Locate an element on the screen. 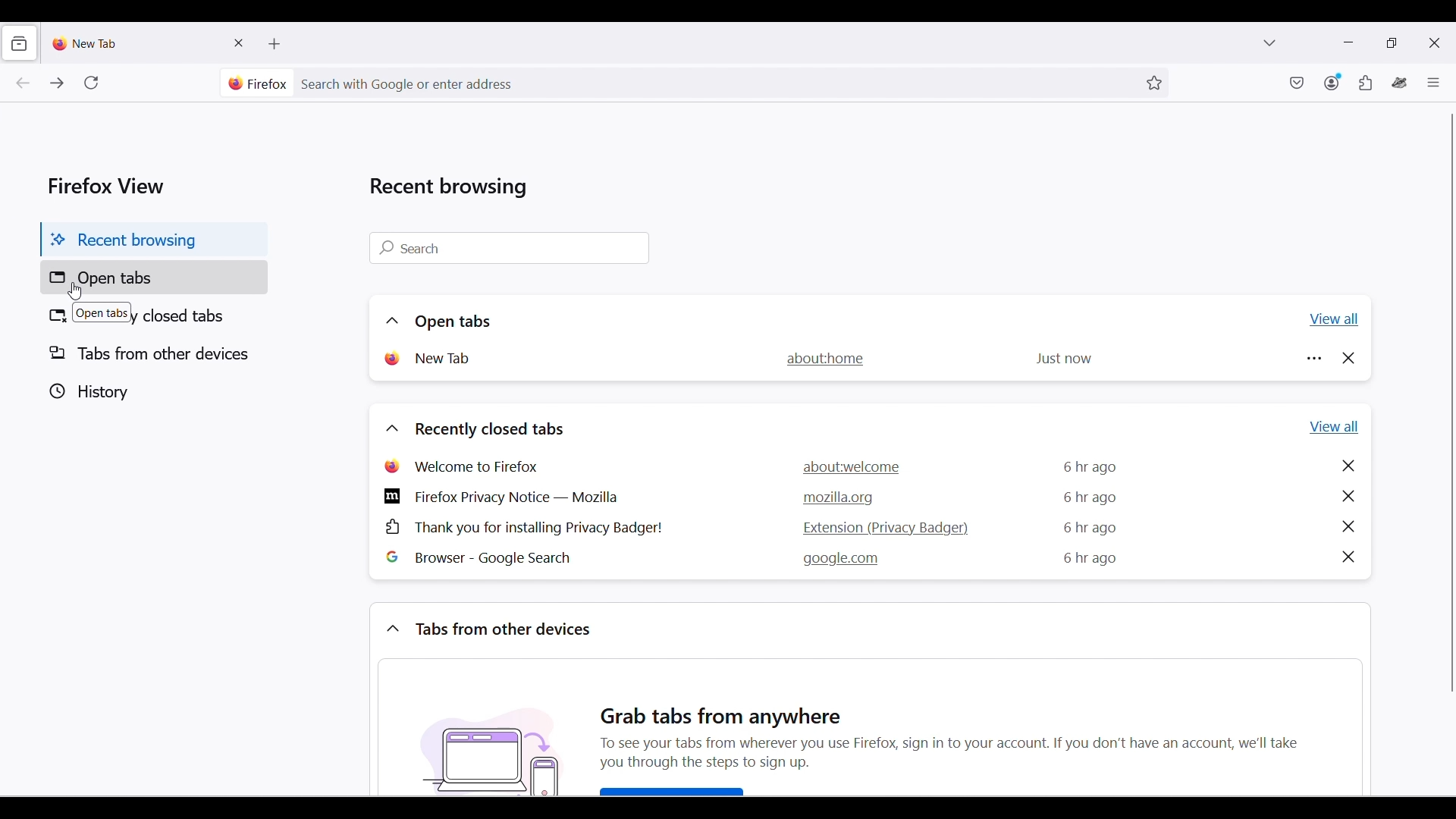 Image resolution: width=1456 pixels, height=819 pixels. Search with Google or enter address is located at coordinates (715, 83).